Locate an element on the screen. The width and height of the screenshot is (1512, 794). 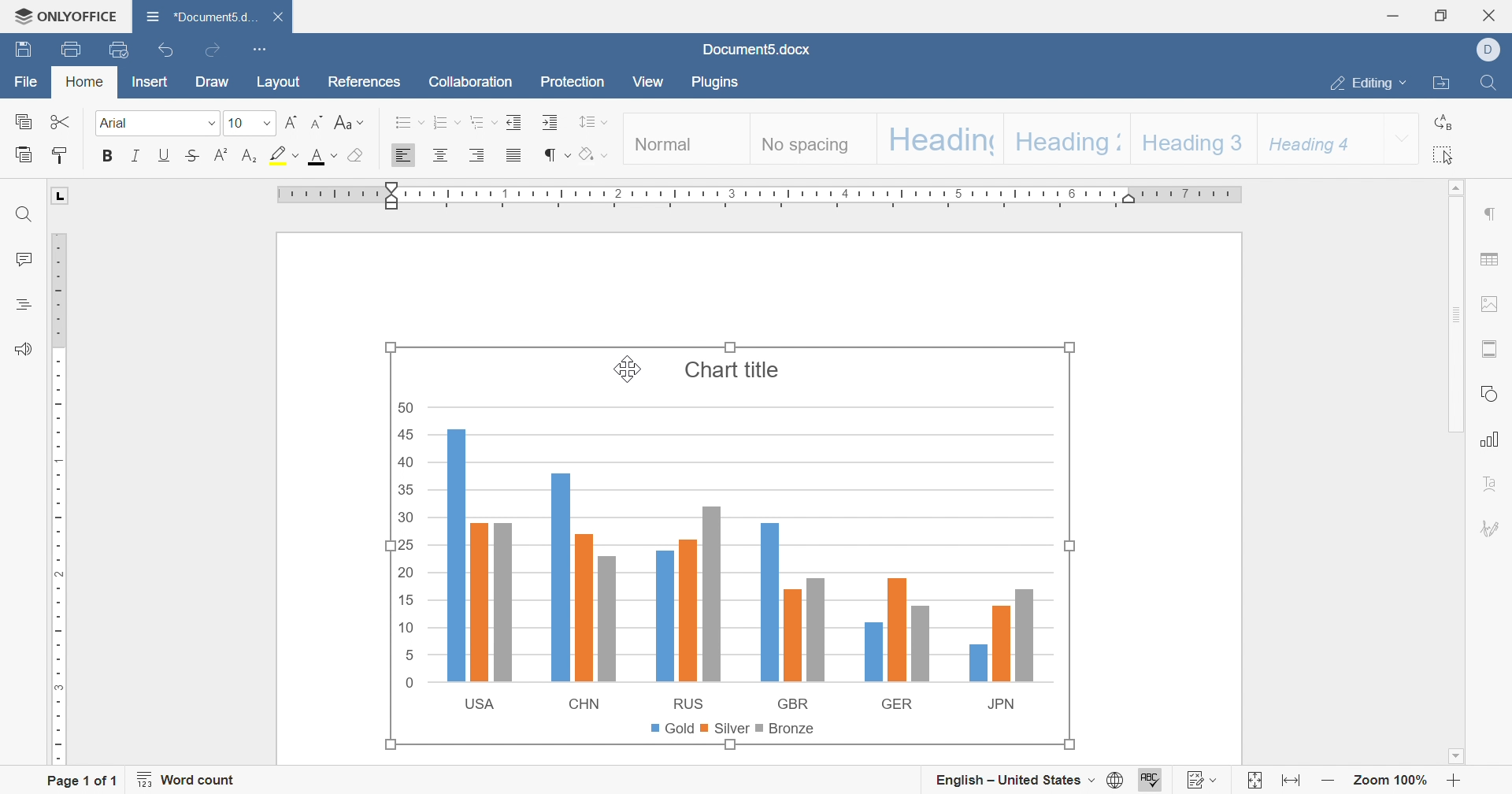
Decrement font size is located at coordinates (319, 123).